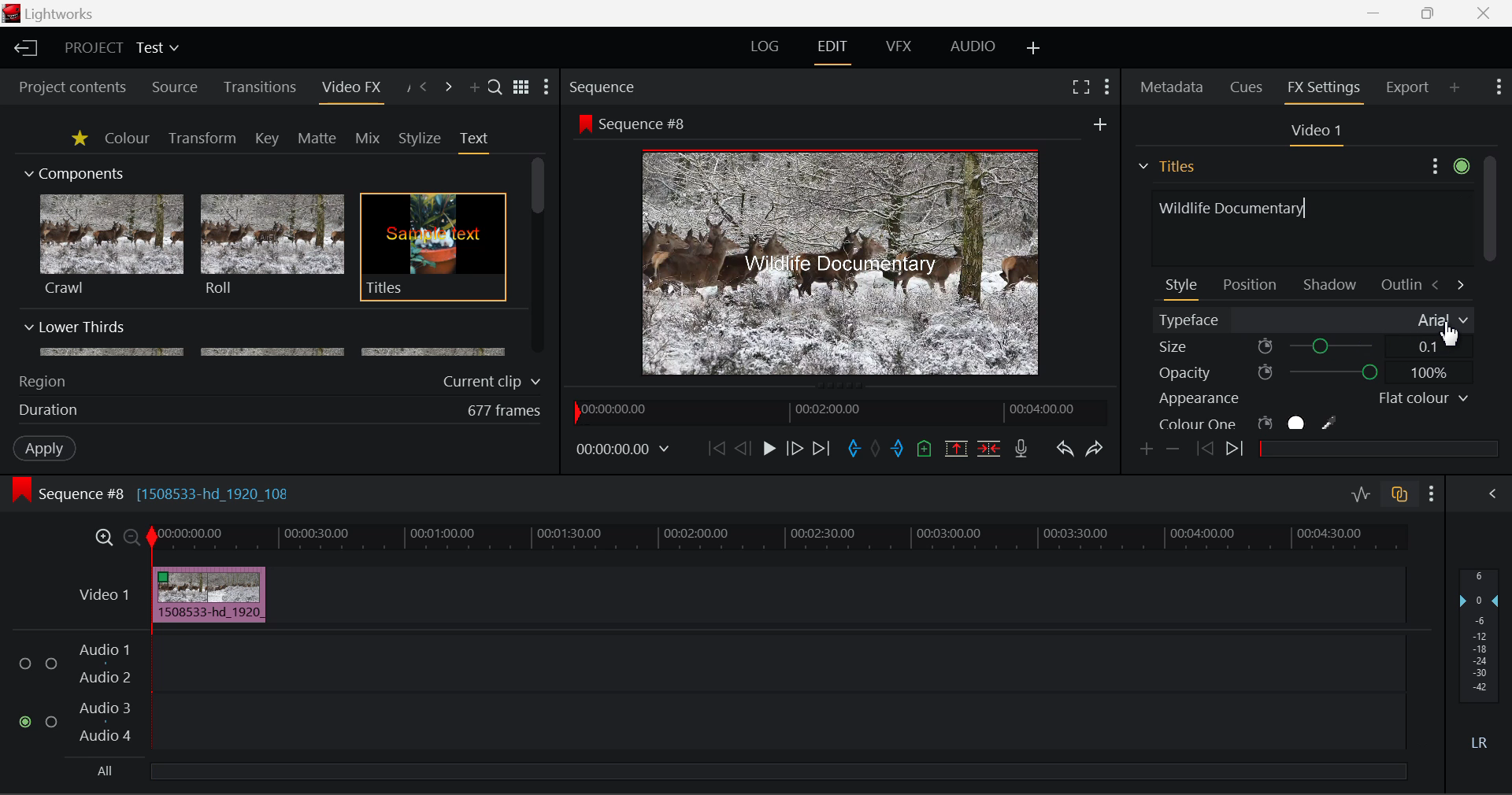  Describe the element at coordinates (72, 170) in the screenshot. I see `Components Section` at that location.